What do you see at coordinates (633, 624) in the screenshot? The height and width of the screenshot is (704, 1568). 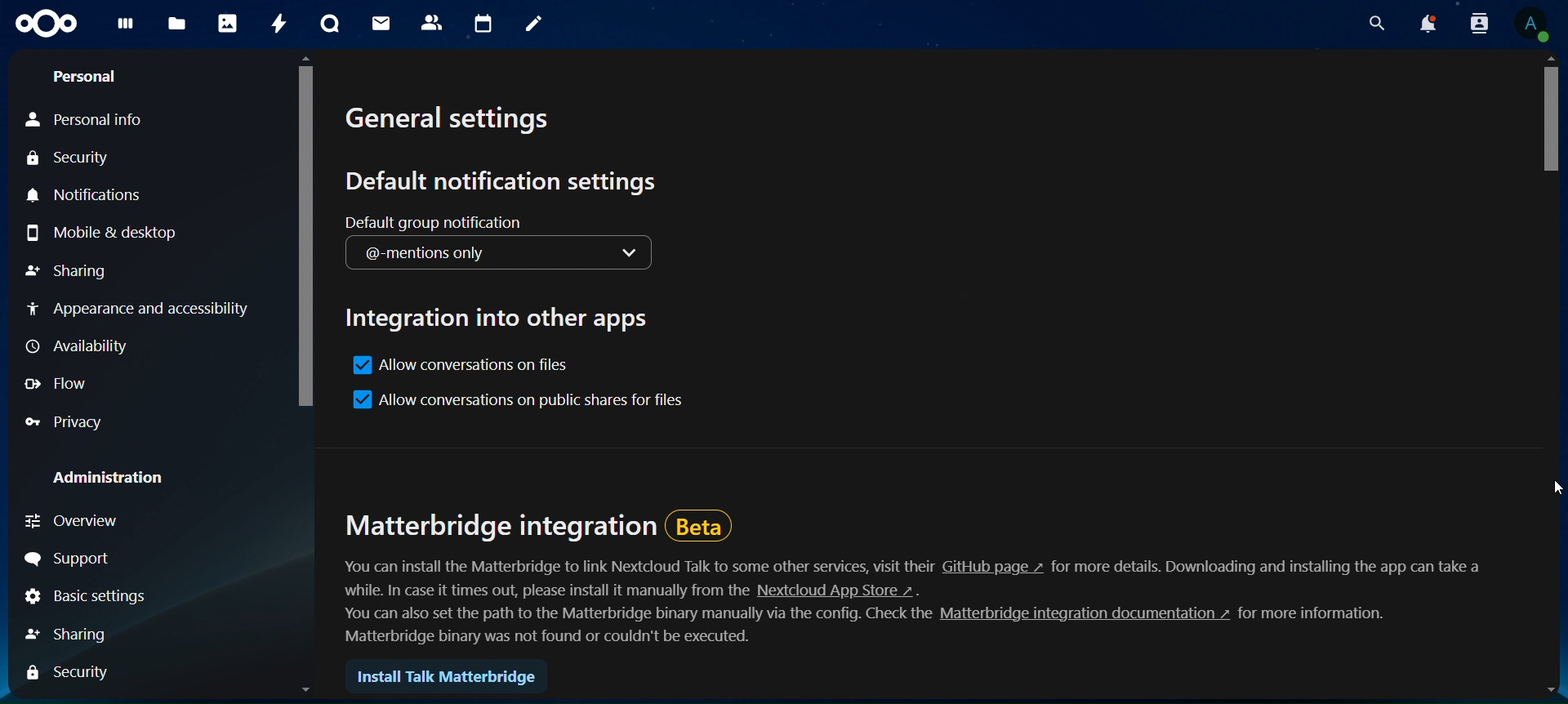 I see `text` at bounding box center [633, 624].